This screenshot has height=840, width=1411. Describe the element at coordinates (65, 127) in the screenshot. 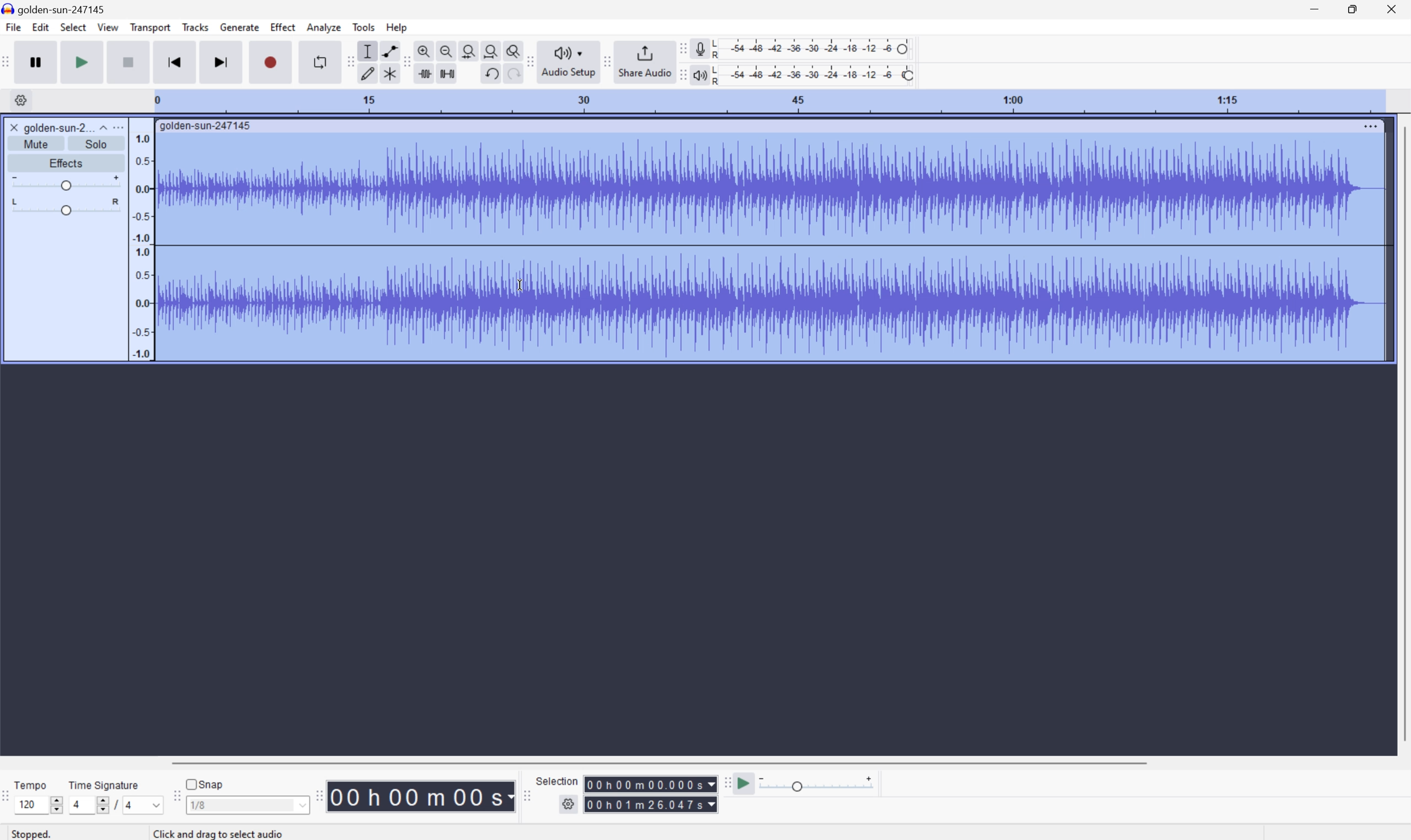

I see `golden-sun-2...` at that location.